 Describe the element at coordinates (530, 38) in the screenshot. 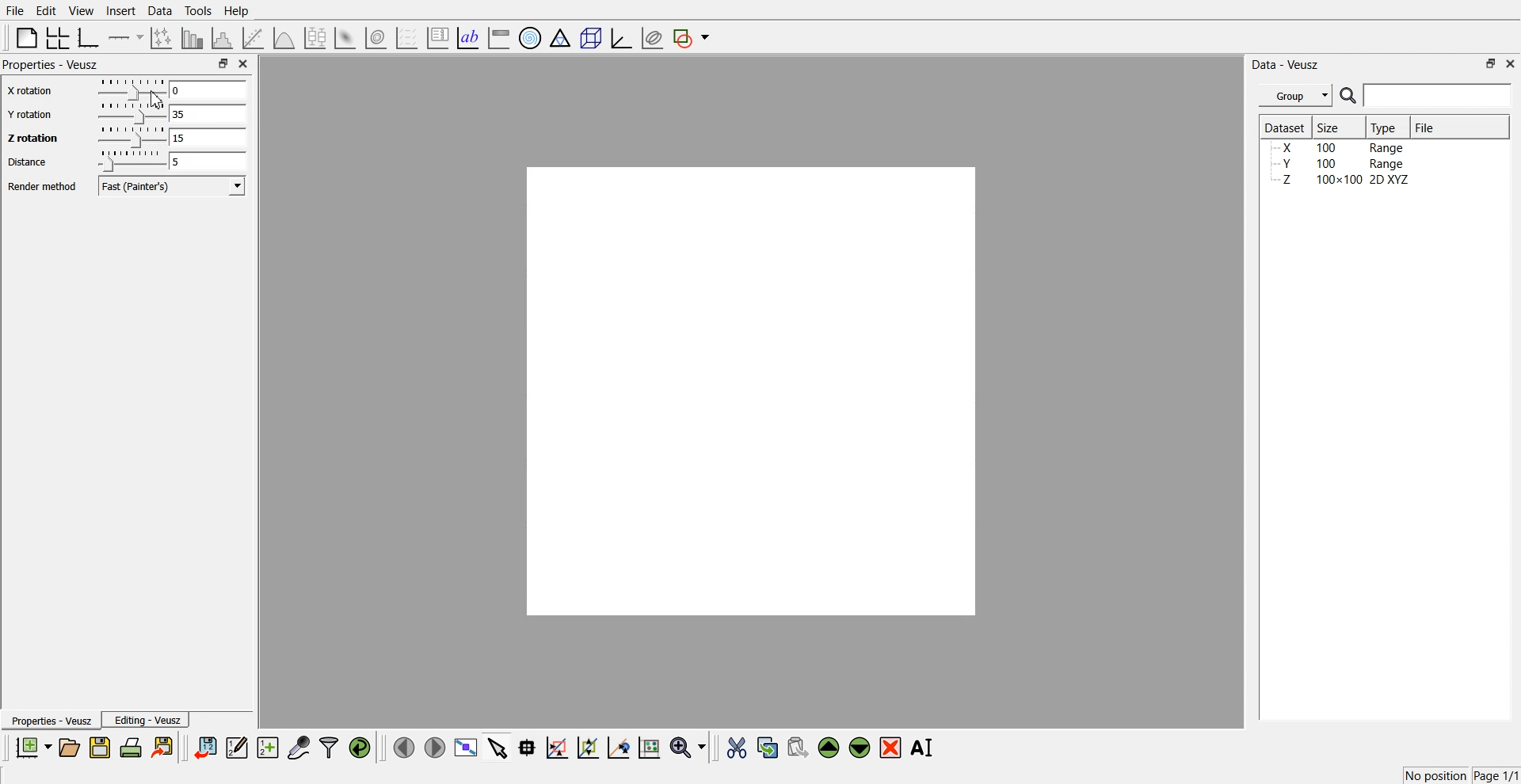

I see `Polar Graph` at that location.